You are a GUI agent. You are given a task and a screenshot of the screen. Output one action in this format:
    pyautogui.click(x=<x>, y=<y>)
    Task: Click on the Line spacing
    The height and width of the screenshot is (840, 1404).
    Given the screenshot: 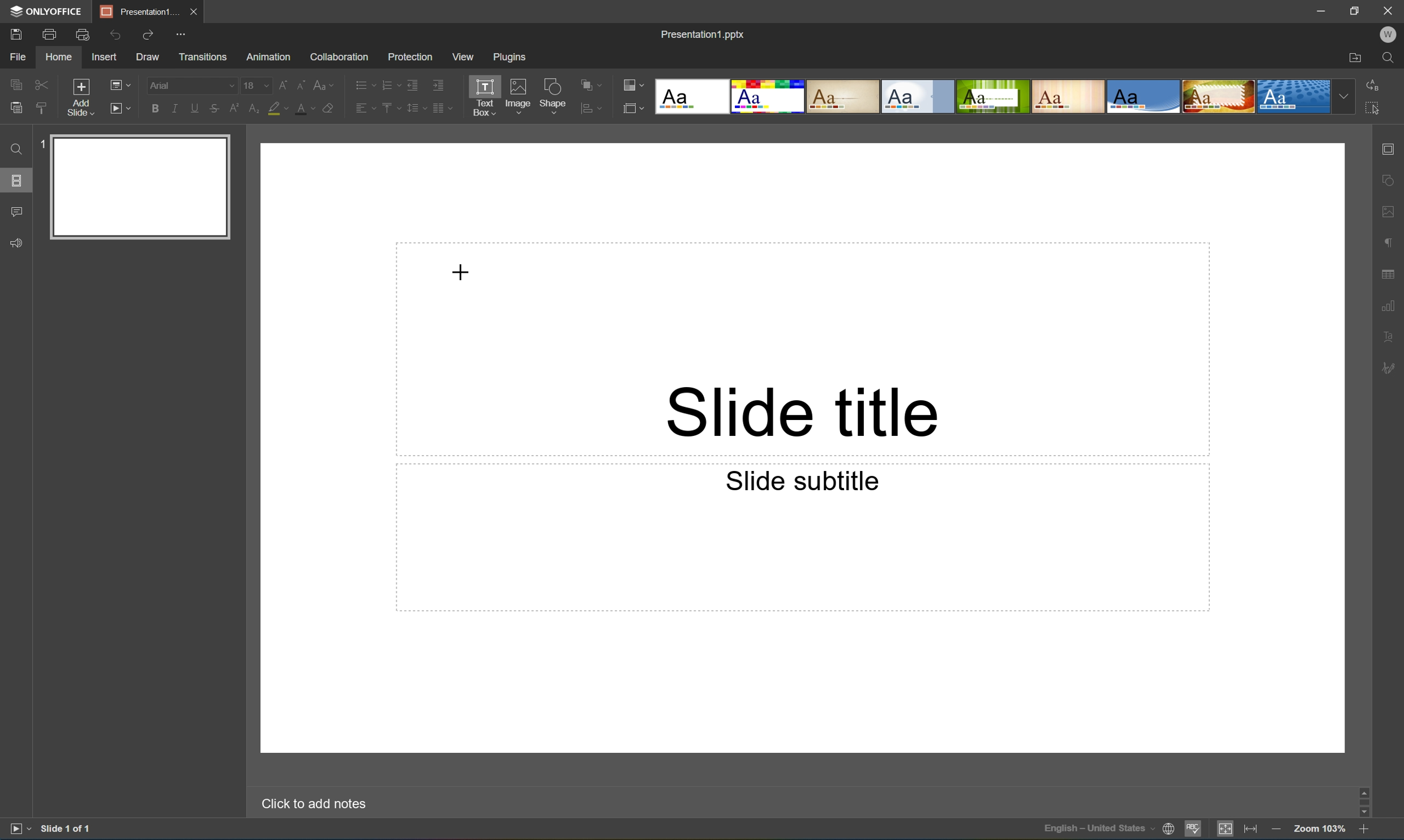 What is the action you would take?
    pyautogui.click(x=415, y=108)
    